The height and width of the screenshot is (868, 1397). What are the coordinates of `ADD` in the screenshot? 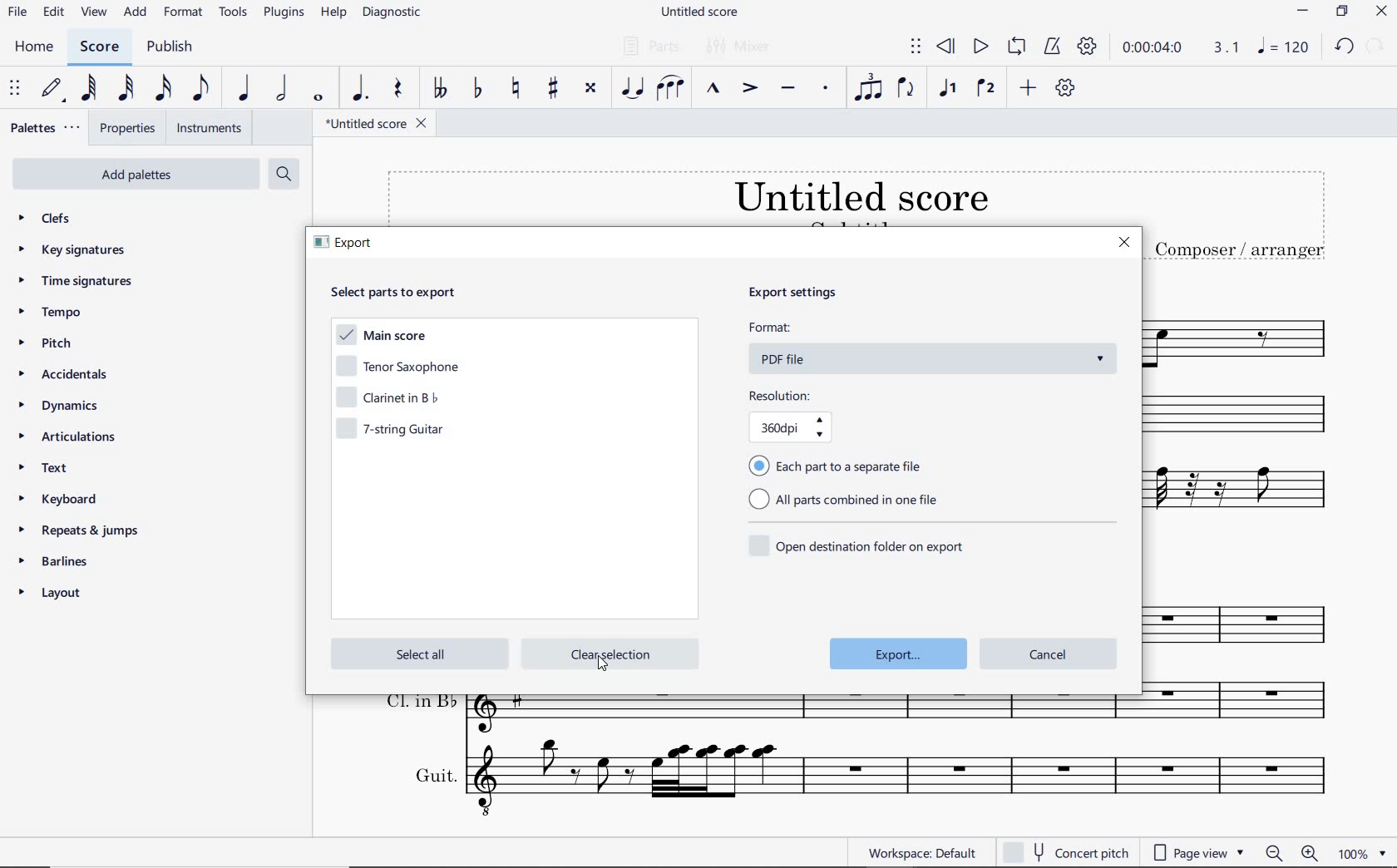 It's located at (1030, 87).